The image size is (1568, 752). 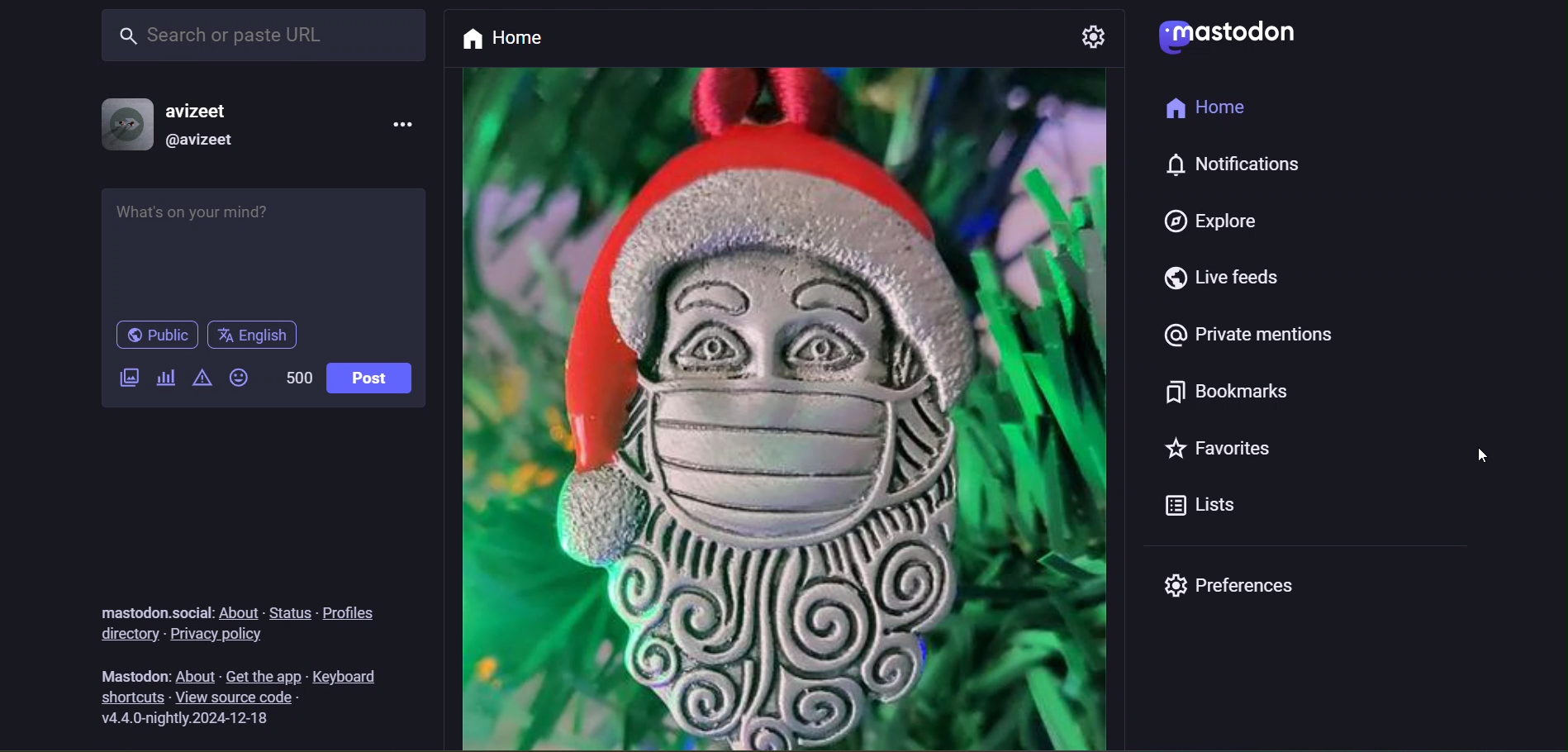 What do you see at coordinates (1198, 510) in the screenshot?
I see `Lists` at bounding box center [1198, 510].